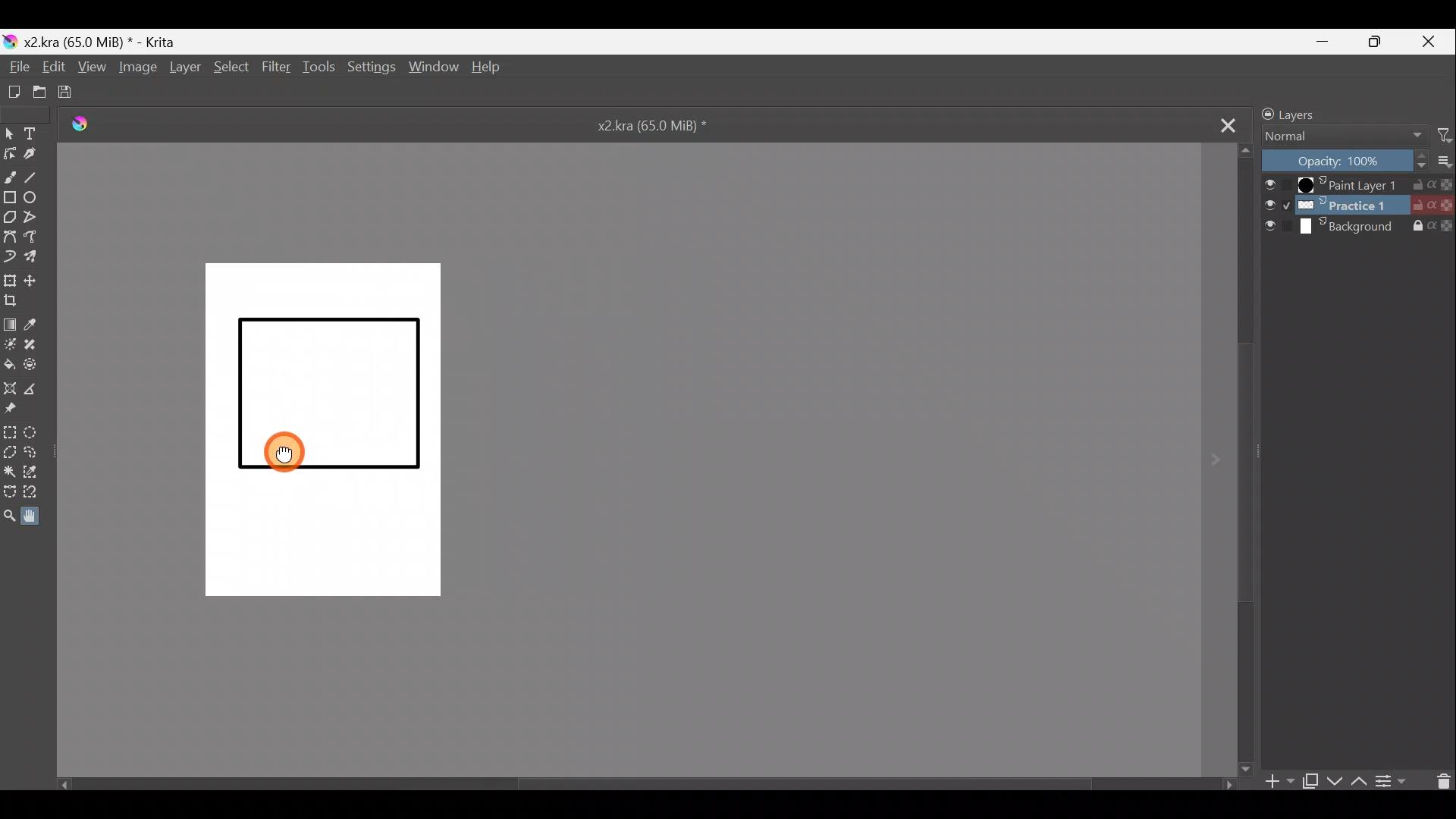  I want to click on Delete a layer, so click(1439, 780).